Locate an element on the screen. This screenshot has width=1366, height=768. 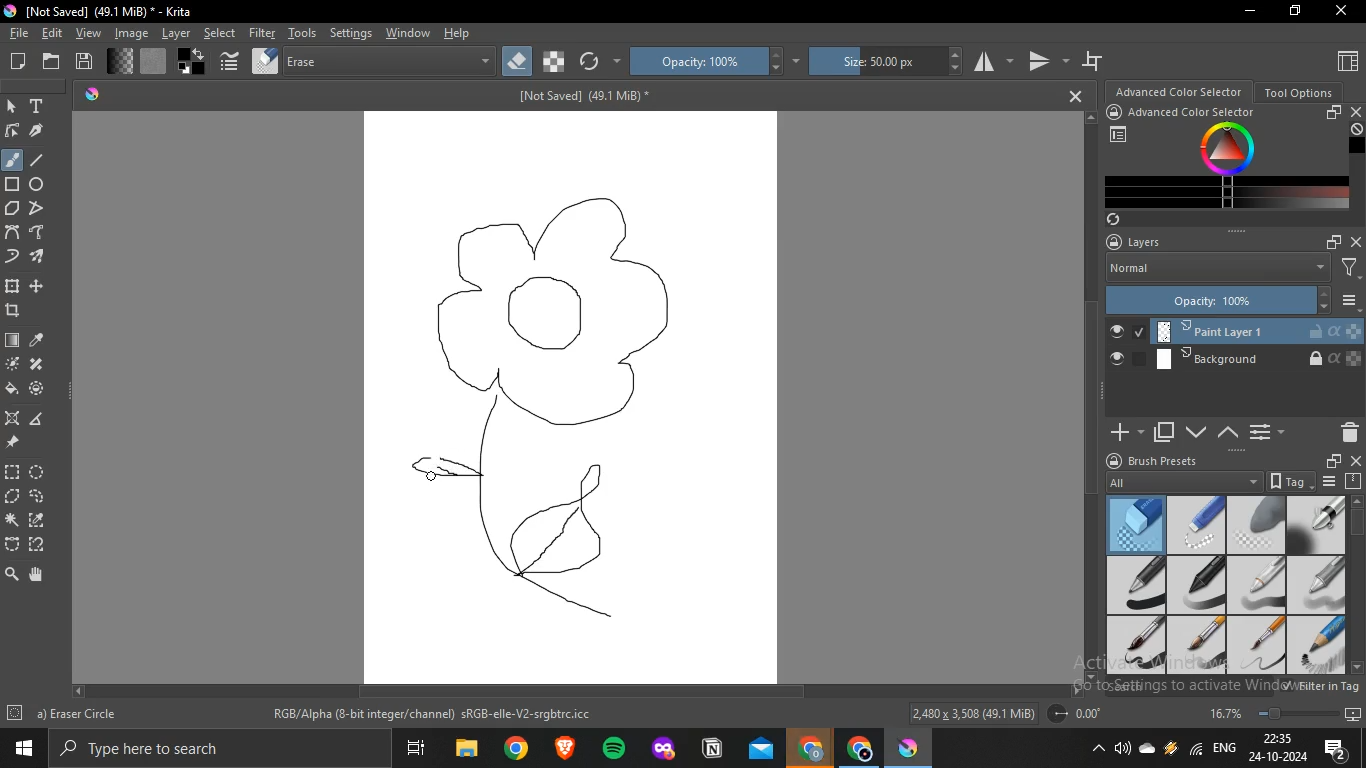
Application is located at coordinates (614, 749).